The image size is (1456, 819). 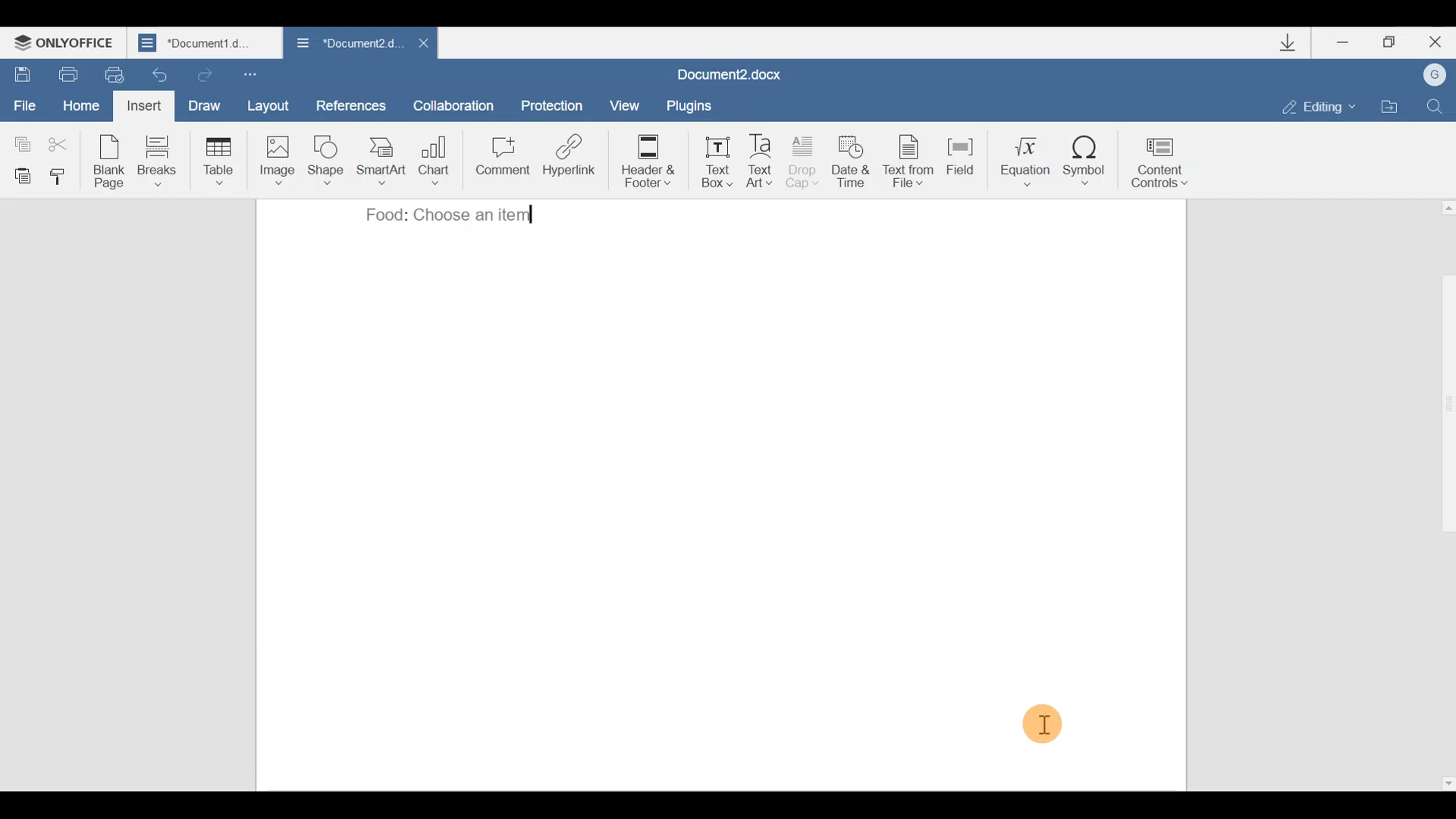 I want to click on Save, so click(x=21, y=74).